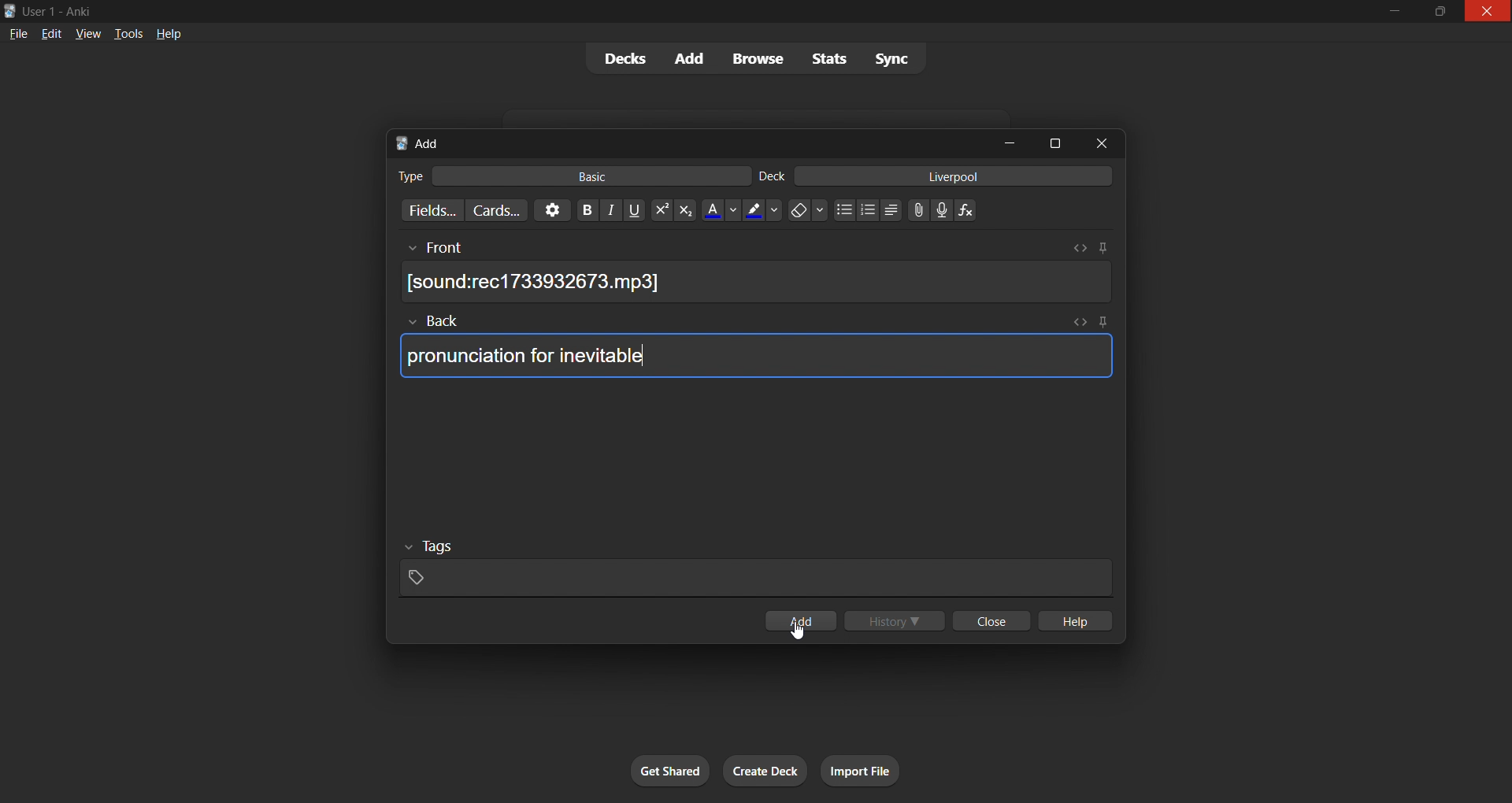  I want to click on help, so click(1080, 620).